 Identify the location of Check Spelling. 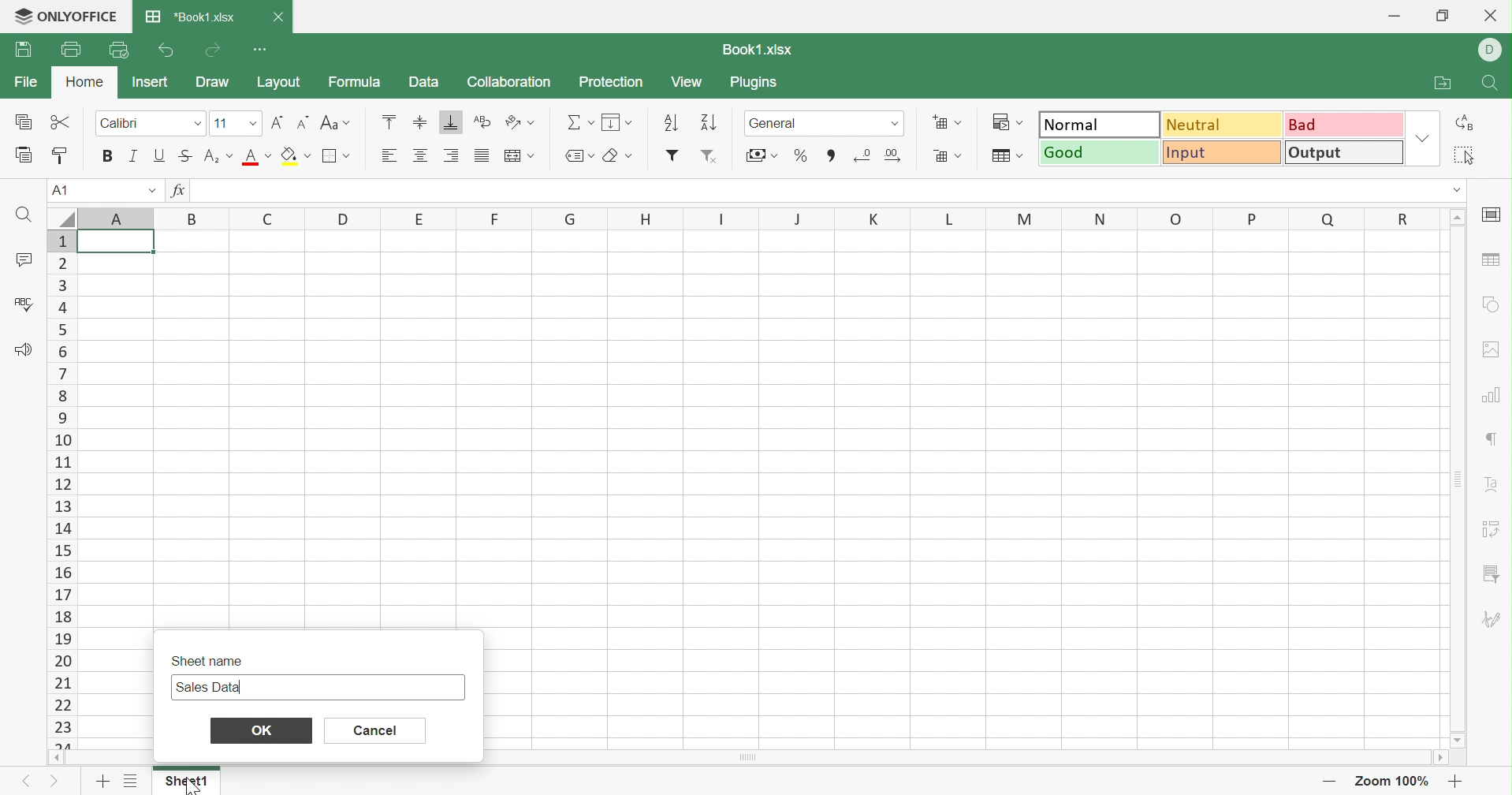
(28, 303).